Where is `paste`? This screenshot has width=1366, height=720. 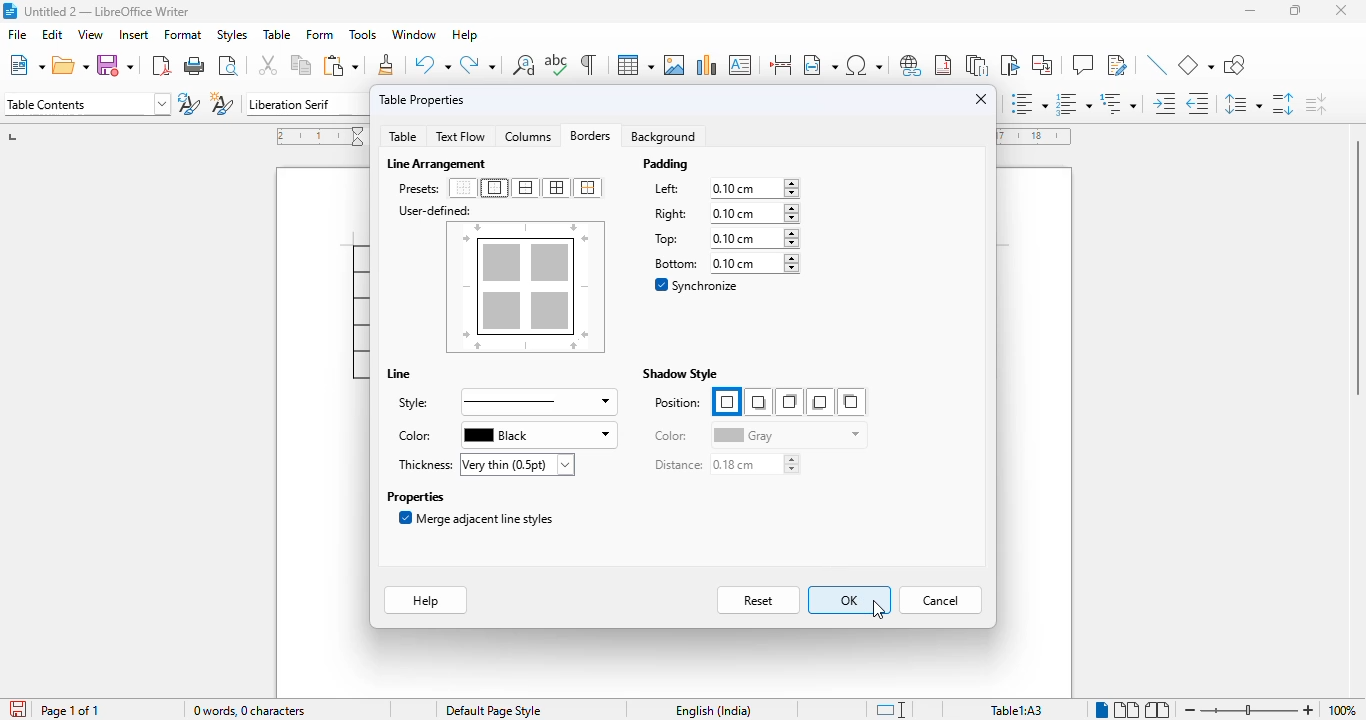
paste is located at coordinates (341, 65).